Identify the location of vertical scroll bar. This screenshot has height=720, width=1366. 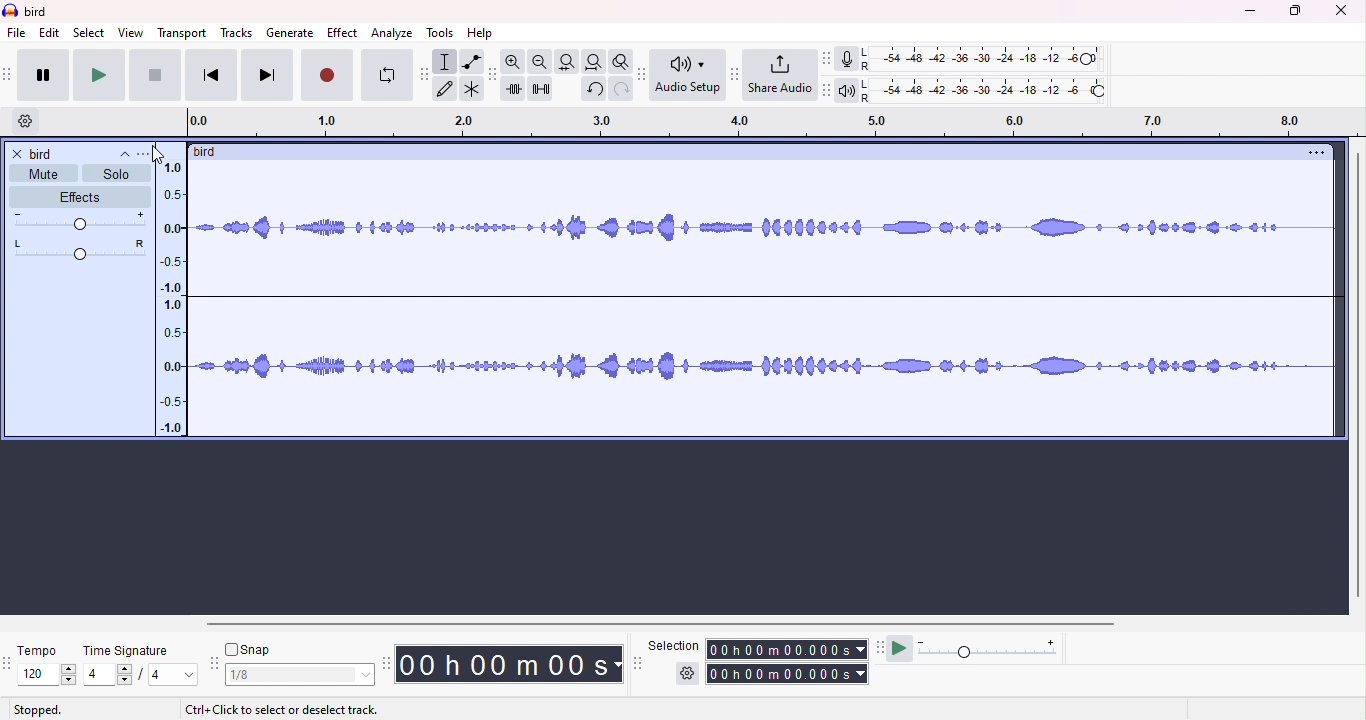
(1357, 374).